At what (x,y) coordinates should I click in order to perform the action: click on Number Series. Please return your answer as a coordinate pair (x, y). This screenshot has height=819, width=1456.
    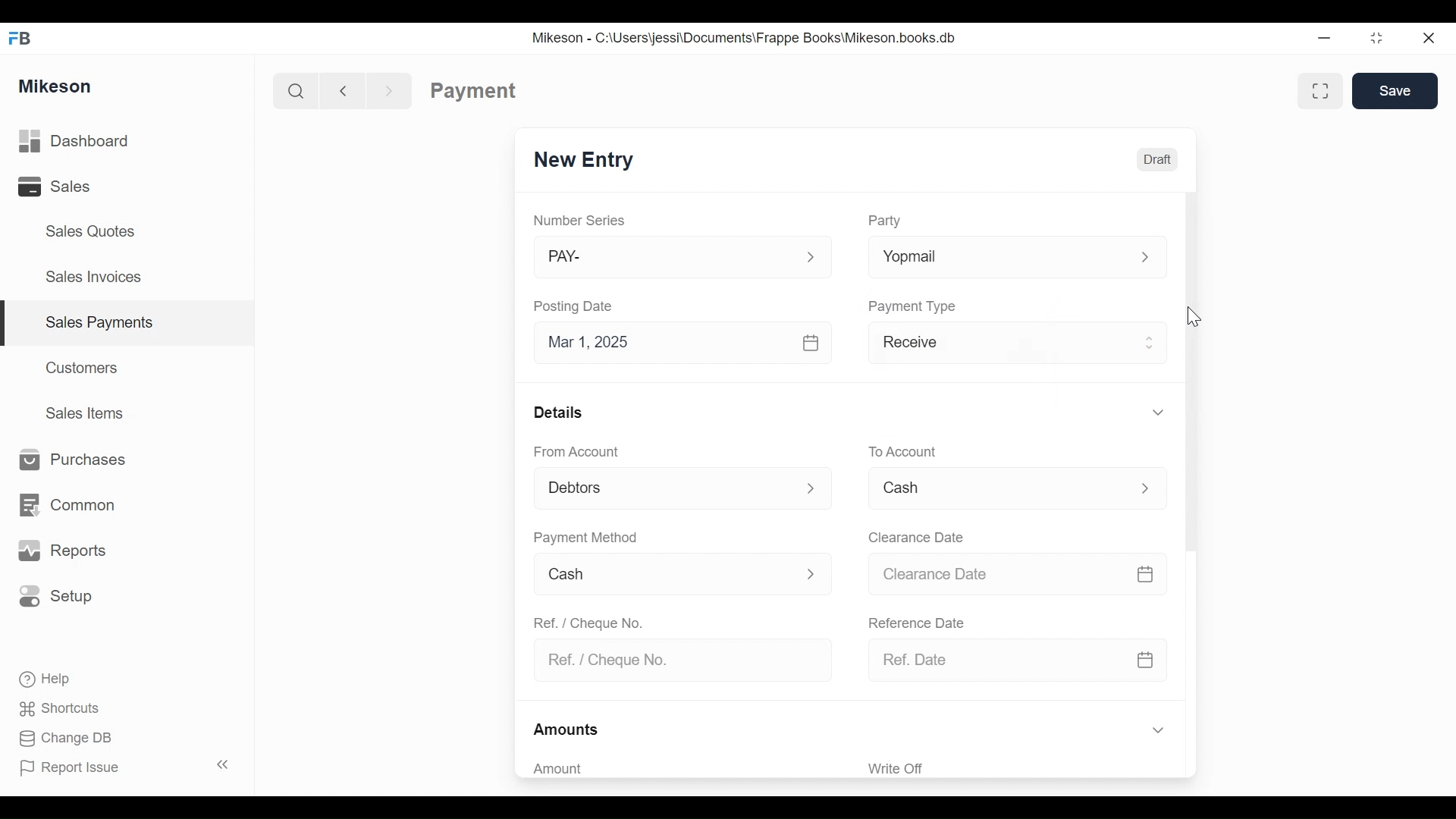
    Looking at the image, I should click on (582, 221).